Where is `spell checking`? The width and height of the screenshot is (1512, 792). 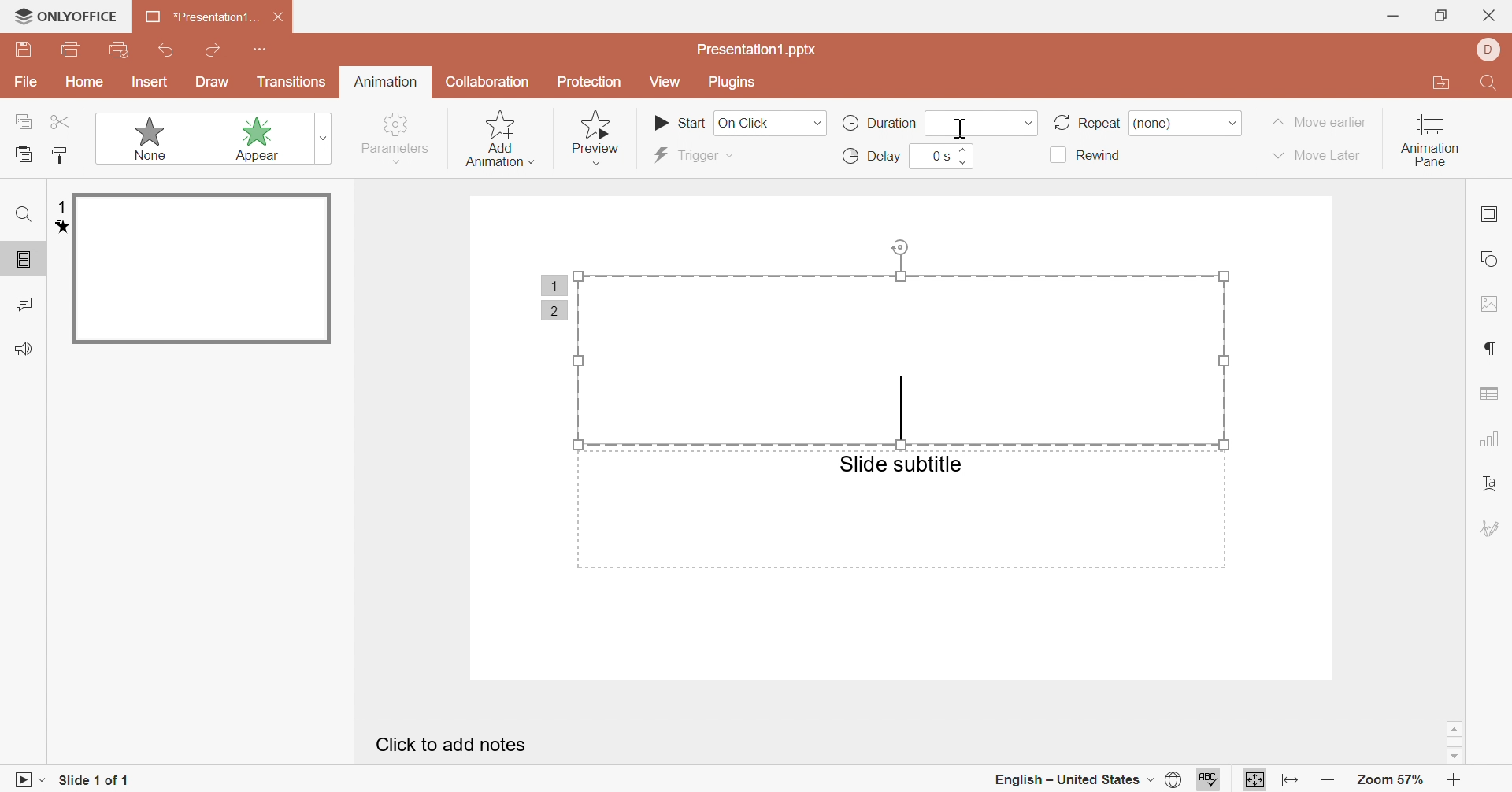
spell checking is located at coordinates (1212, 783).